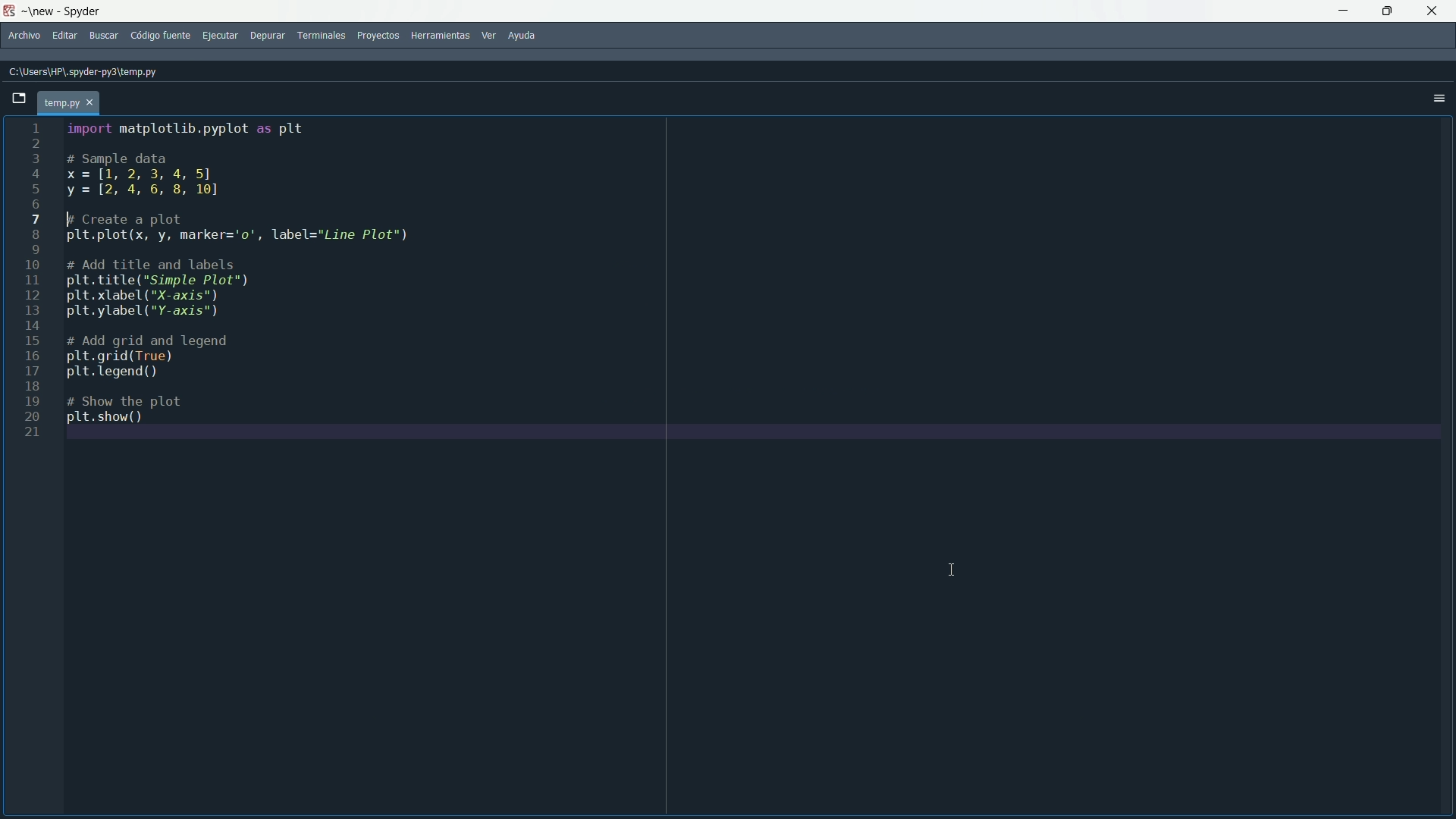 The image size is (1456, 819). What do you see at coordinates (267, 37) in the screenshot?
I see `depurar` at bounding box center [267, 37].